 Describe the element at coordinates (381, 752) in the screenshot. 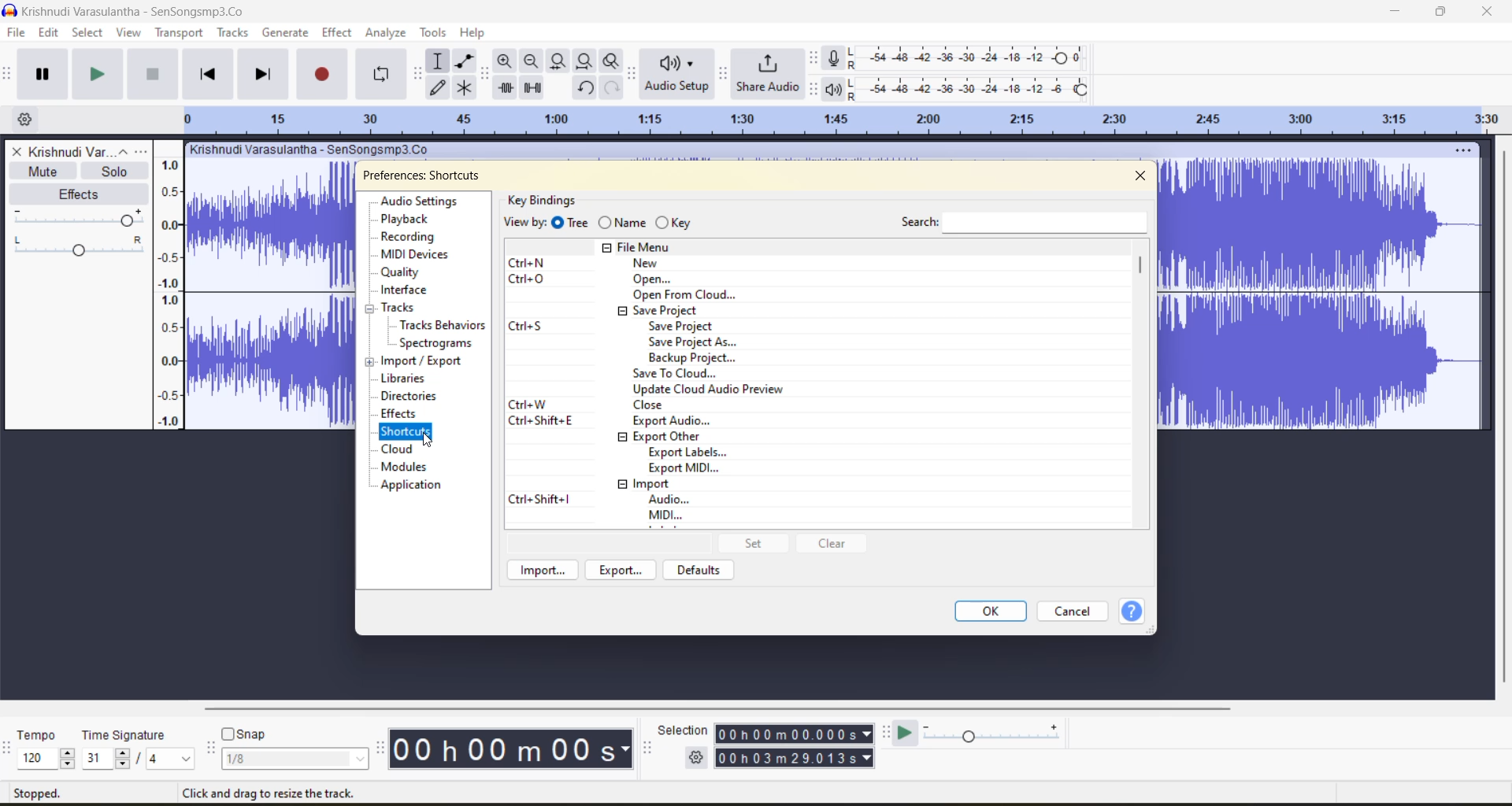

I see `time toolbar` at that location.